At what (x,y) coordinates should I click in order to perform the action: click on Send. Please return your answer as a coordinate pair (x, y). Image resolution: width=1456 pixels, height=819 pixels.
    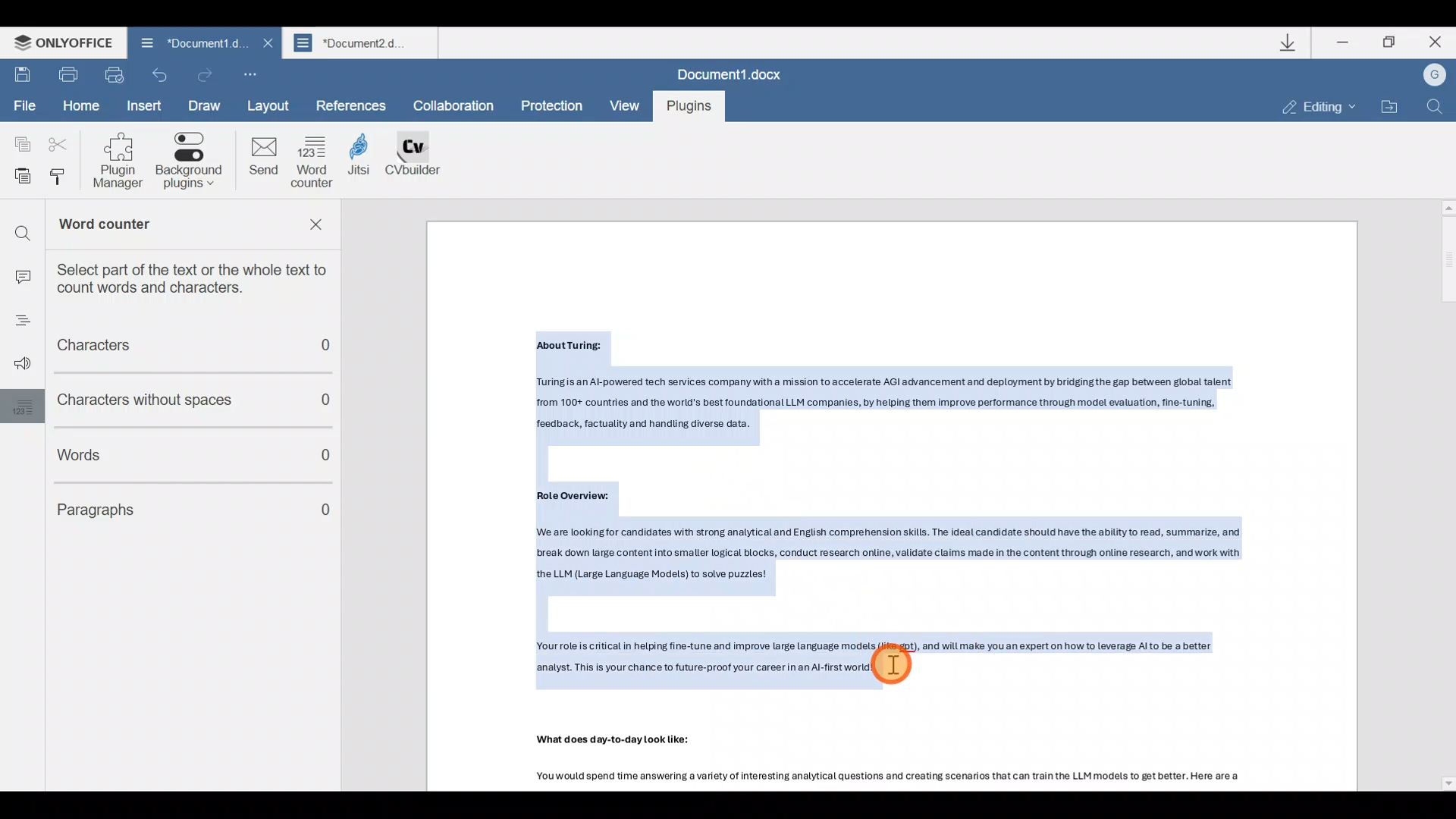
    Looking at the image, I should click on (262, 160).